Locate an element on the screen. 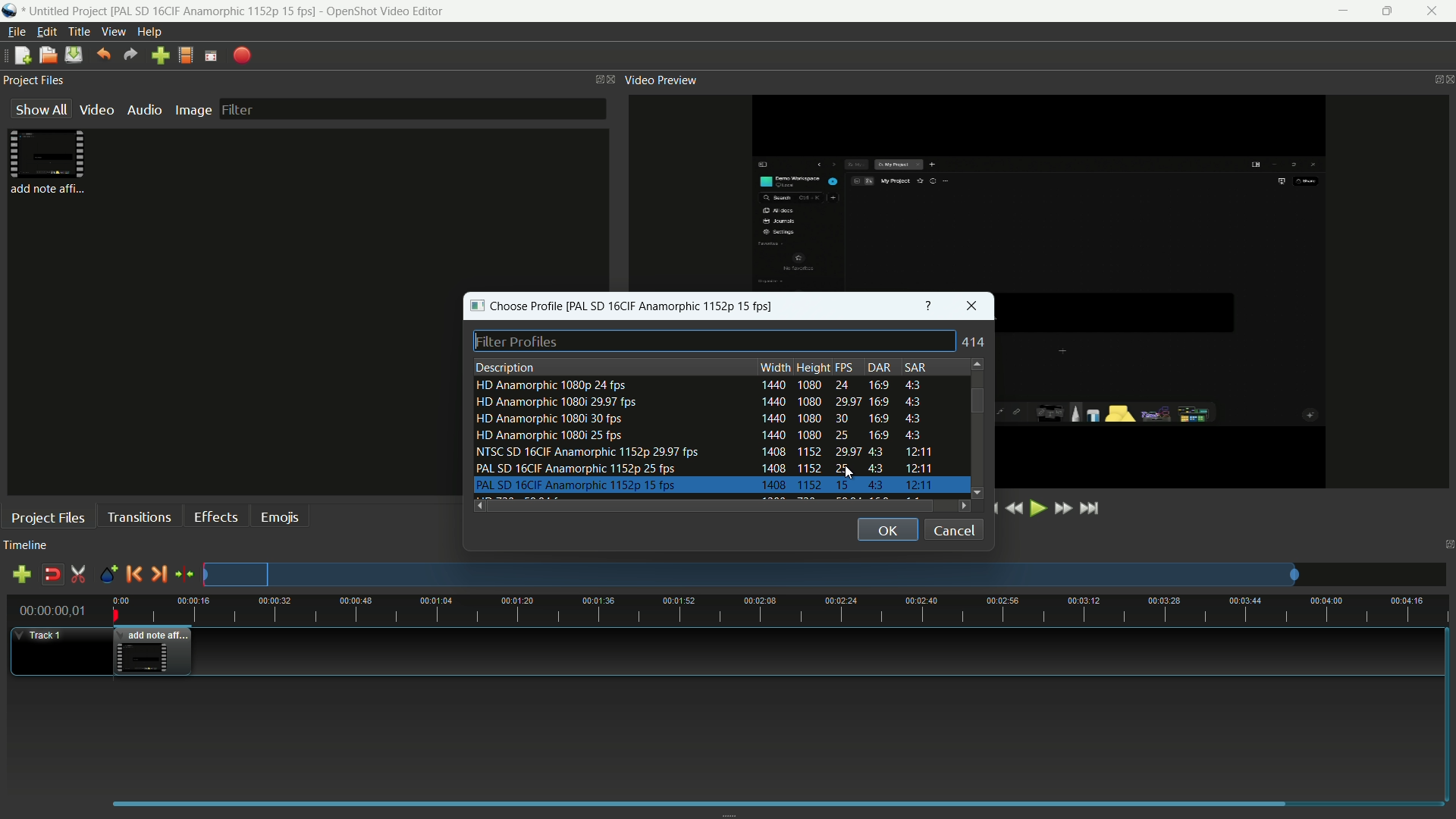  full screen is located at coordinates (212, 56).